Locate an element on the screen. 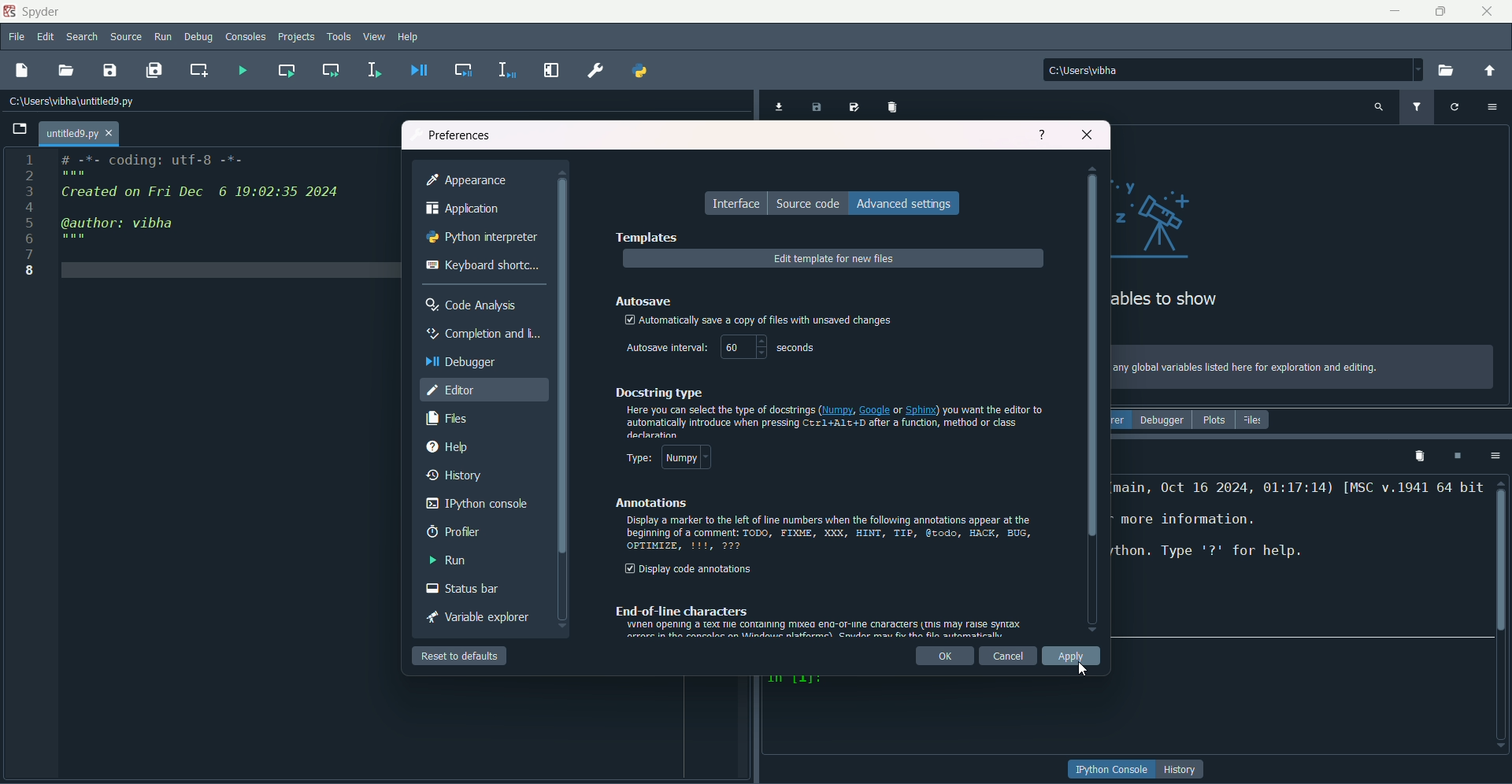  options is located at coordinates (1492, 455).